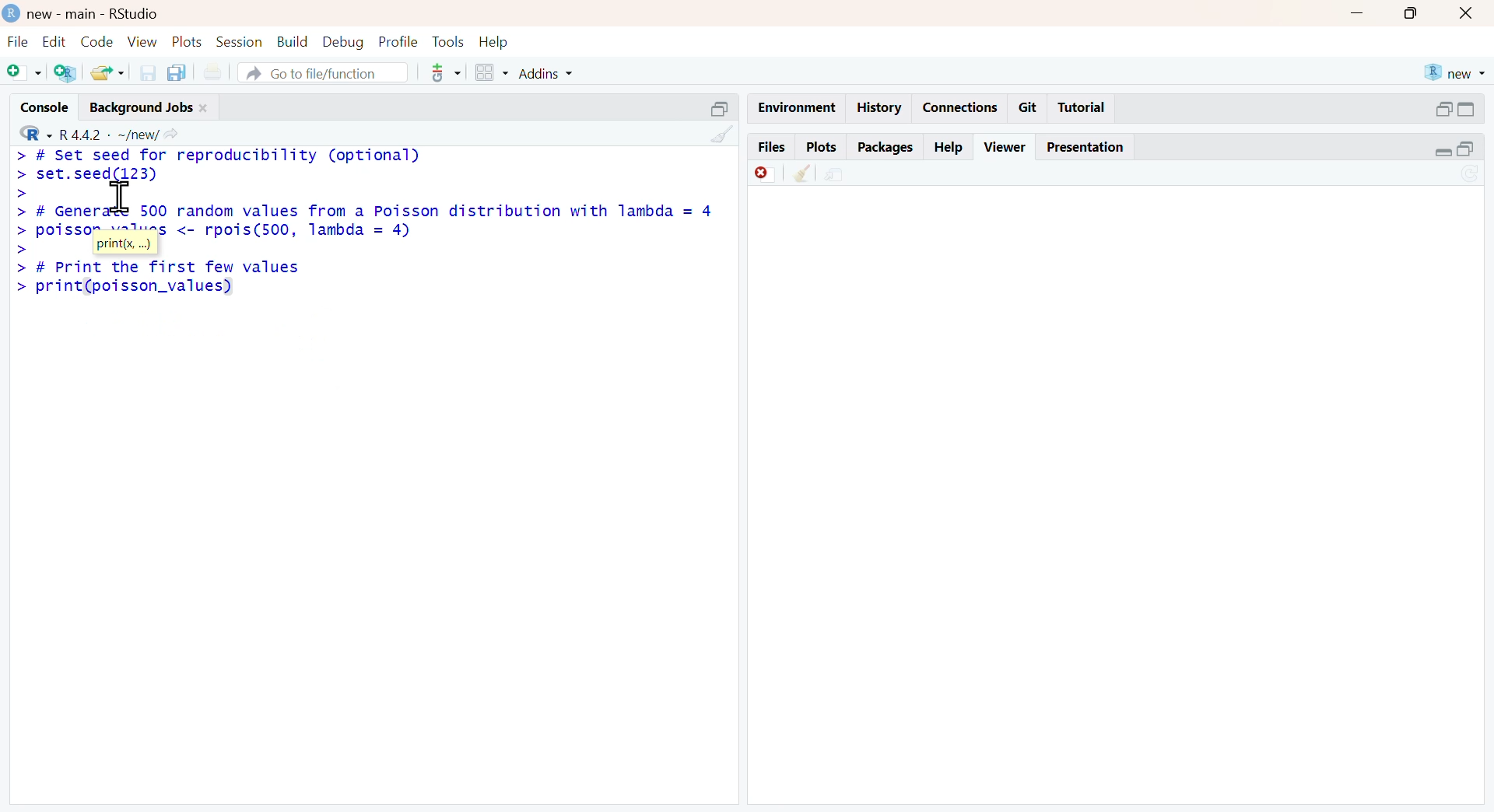  Describe the element at coordinates (26, 73) in the screenshot. I see `Add file as` at that location.